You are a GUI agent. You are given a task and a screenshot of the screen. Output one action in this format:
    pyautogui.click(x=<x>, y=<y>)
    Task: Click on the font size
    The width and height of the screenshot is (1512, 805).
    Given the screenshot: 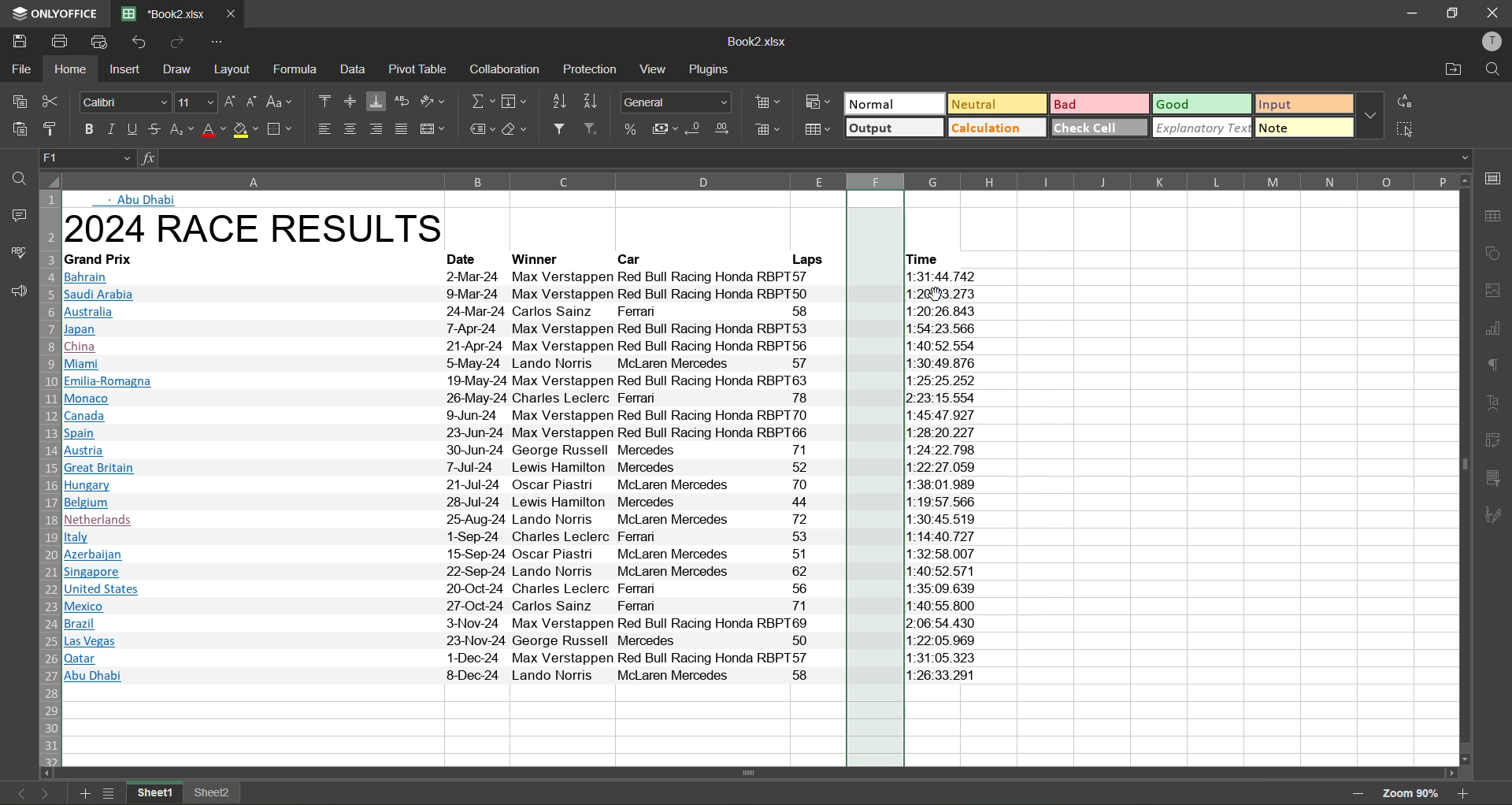 What is the action you would take?
    pyautogui.click(x=198, y=102)
    